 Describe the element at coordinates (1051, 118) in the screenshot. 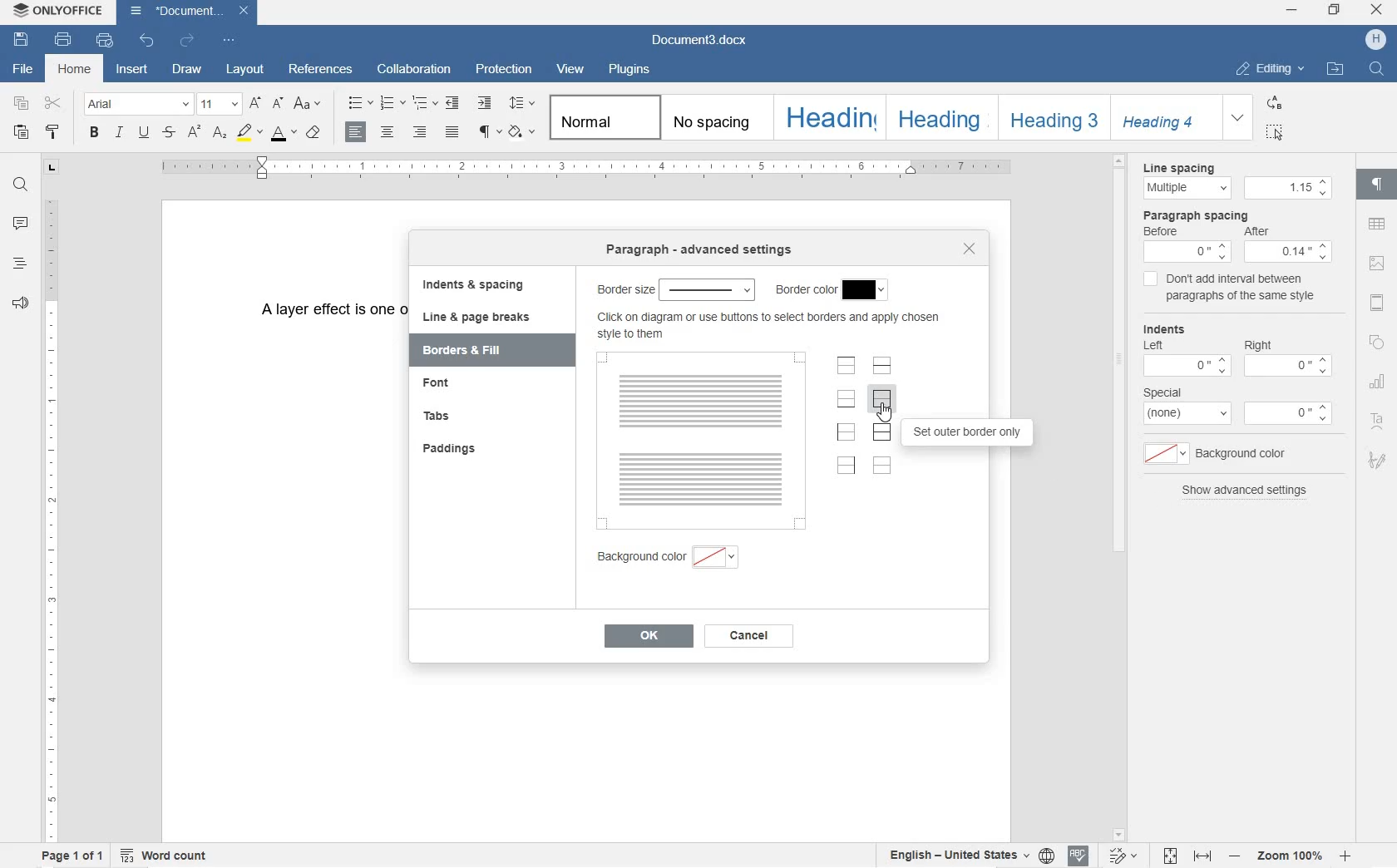

I see `HEADING 3` at that location.